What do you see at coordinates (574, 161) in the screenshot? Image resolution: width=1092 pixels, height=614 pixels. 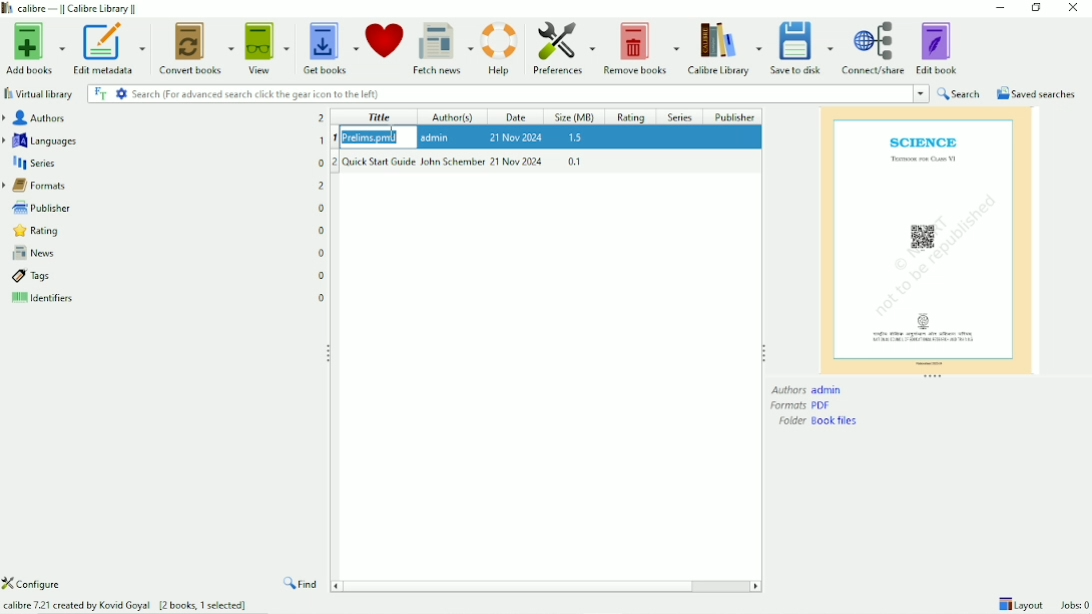 I see `0.1` at bounding box center [574, 161].